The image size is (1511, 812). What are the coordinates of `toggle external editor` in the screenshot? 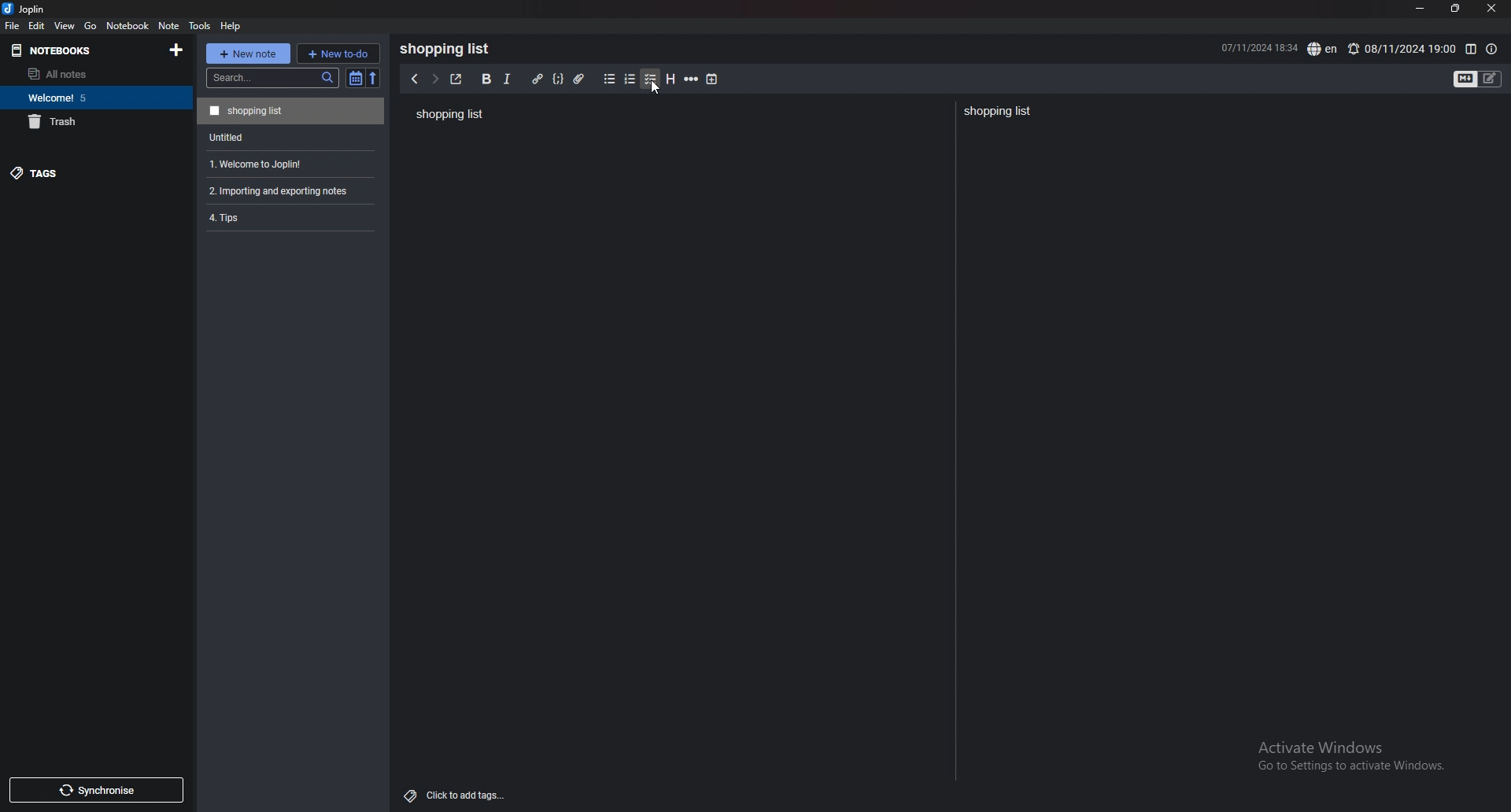 It's located at (456, 79).